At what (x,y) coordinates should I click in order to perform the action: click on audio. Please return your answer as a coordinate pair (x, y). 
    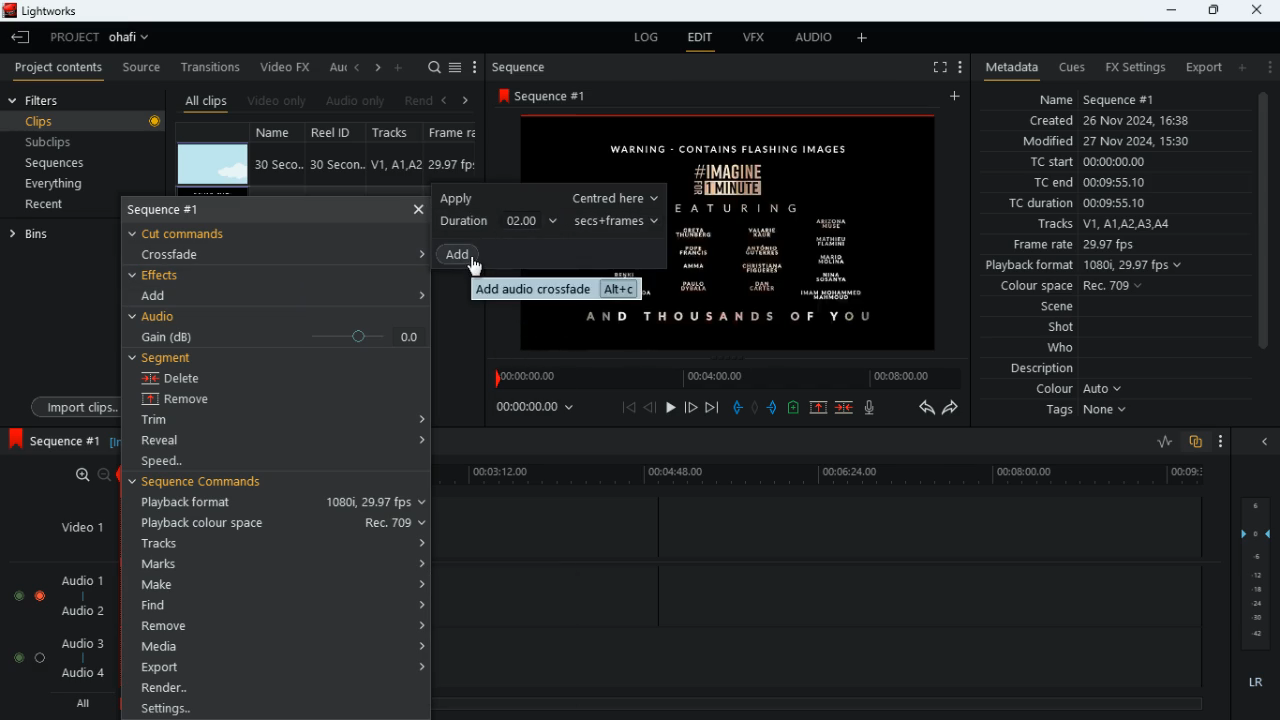
    Looking at the image, I should click on (158, 317).